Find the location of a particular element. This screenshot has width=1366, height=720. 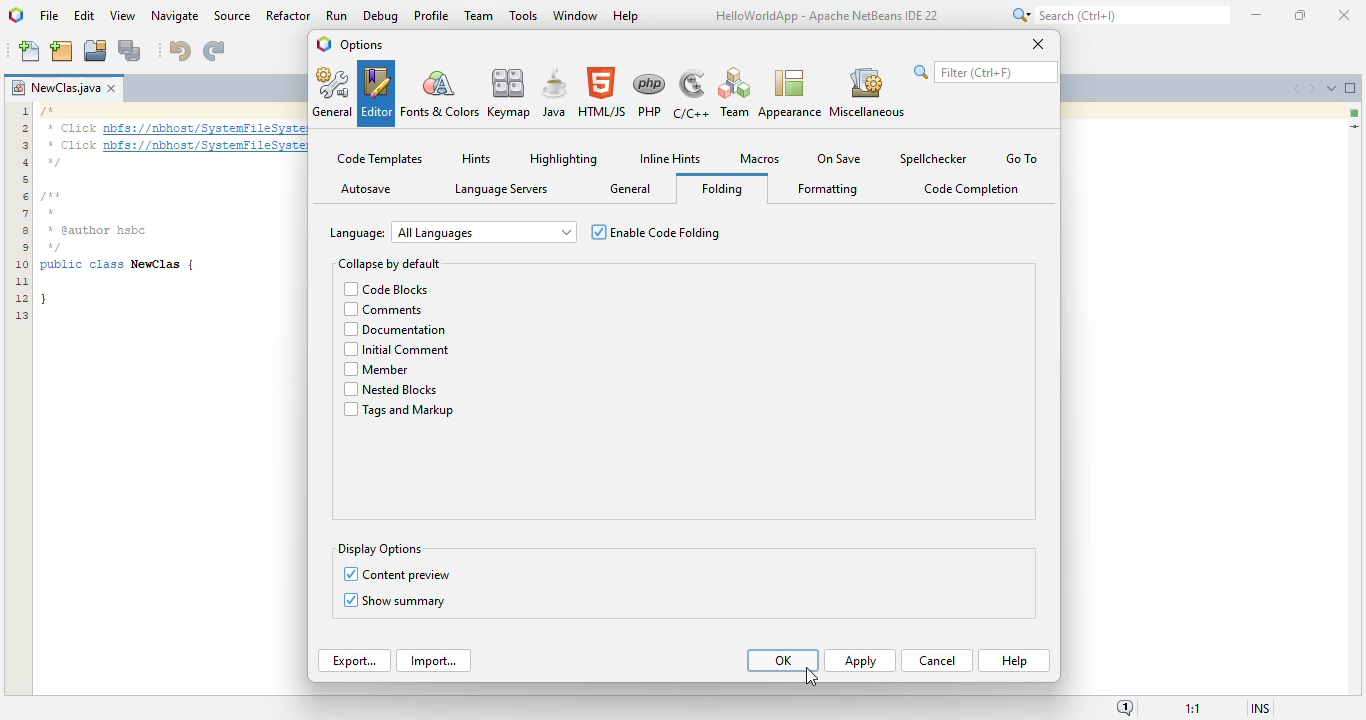

redo is located at coordinates (215, 51).